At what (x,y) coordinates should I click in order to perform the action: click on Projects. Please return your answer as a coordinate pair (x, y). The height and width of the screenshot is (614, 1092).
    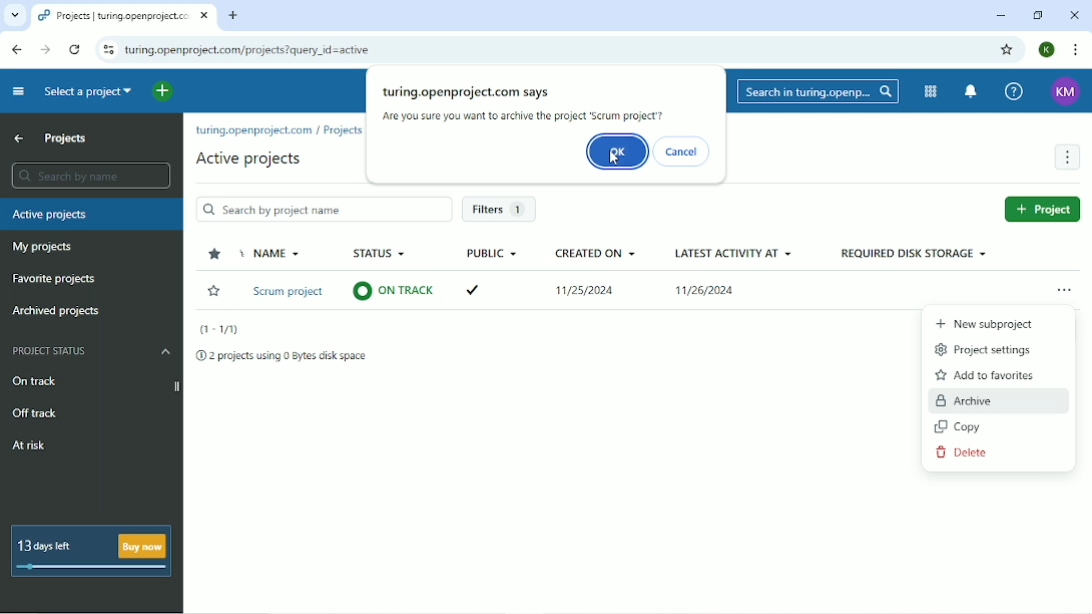
    Looking at the image, I should click on (66, 138).